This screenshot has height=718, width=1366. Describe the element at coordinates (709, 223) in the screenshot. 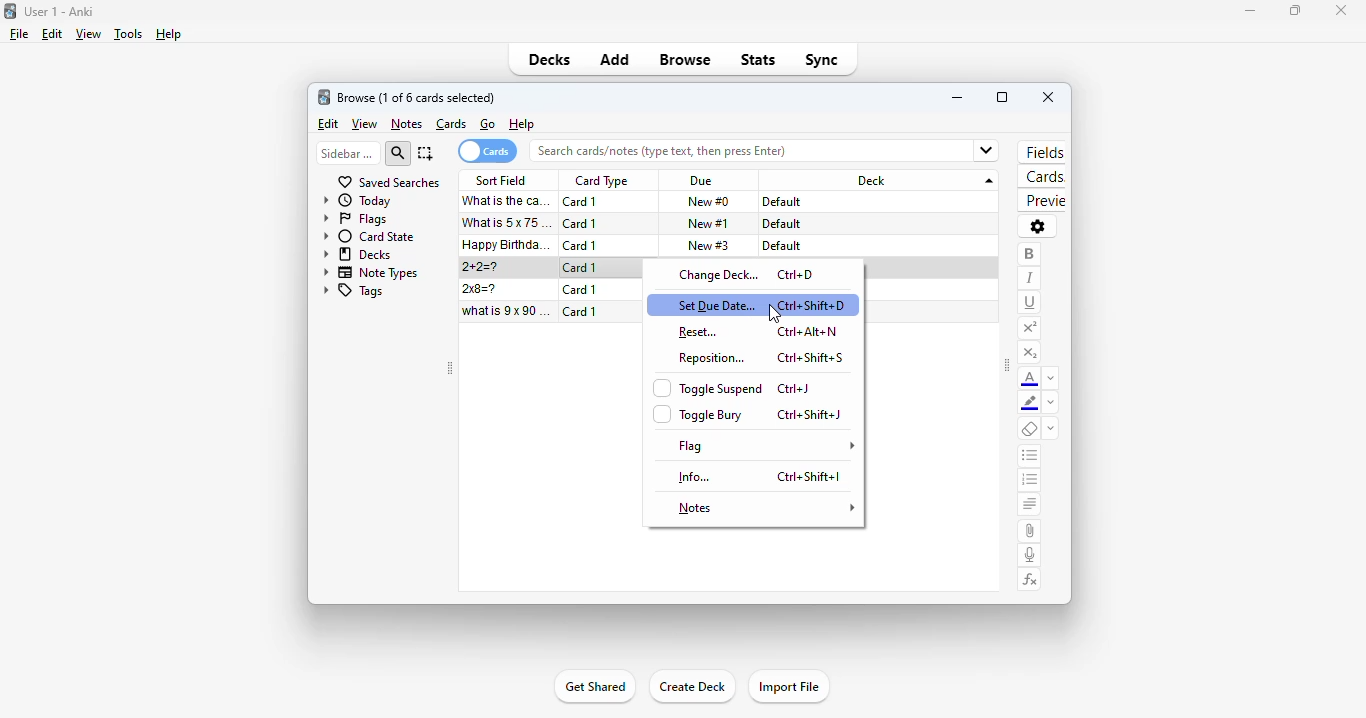

I see `new #1` at that location.